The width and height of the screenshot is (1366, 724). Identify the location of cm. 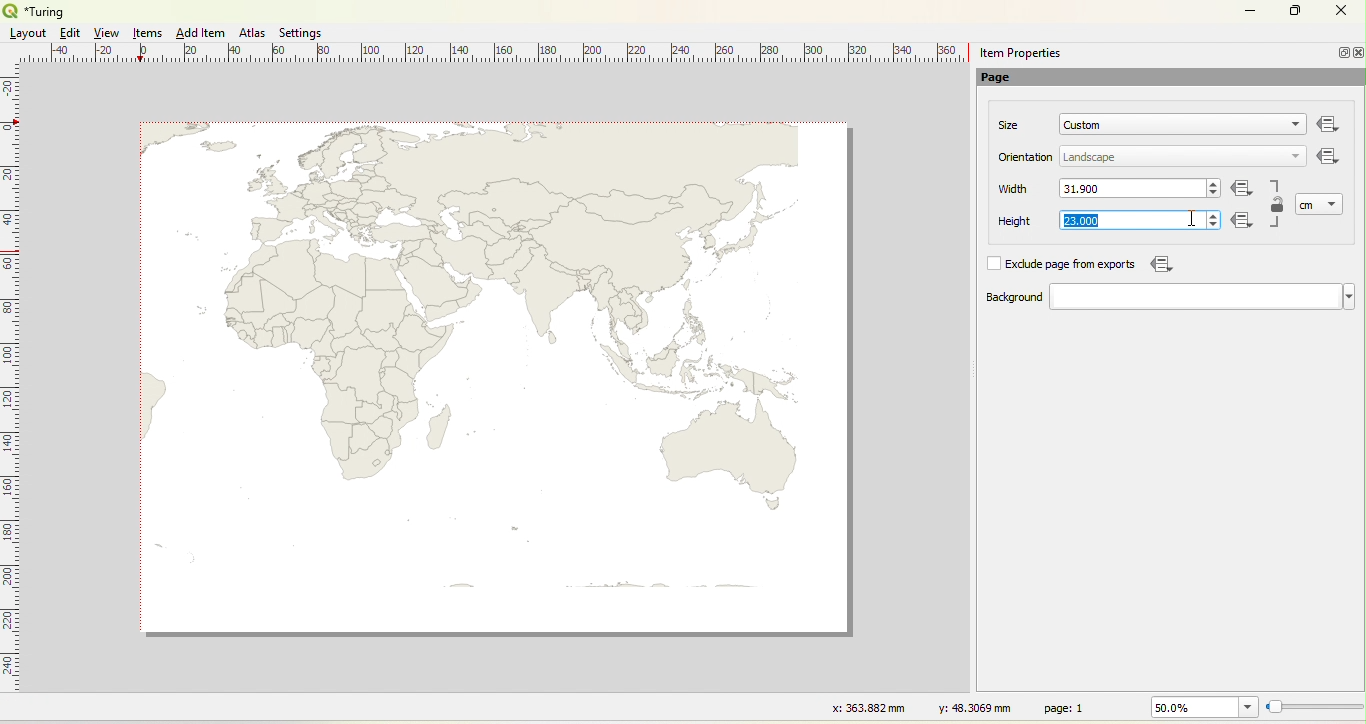
(1308, 205).